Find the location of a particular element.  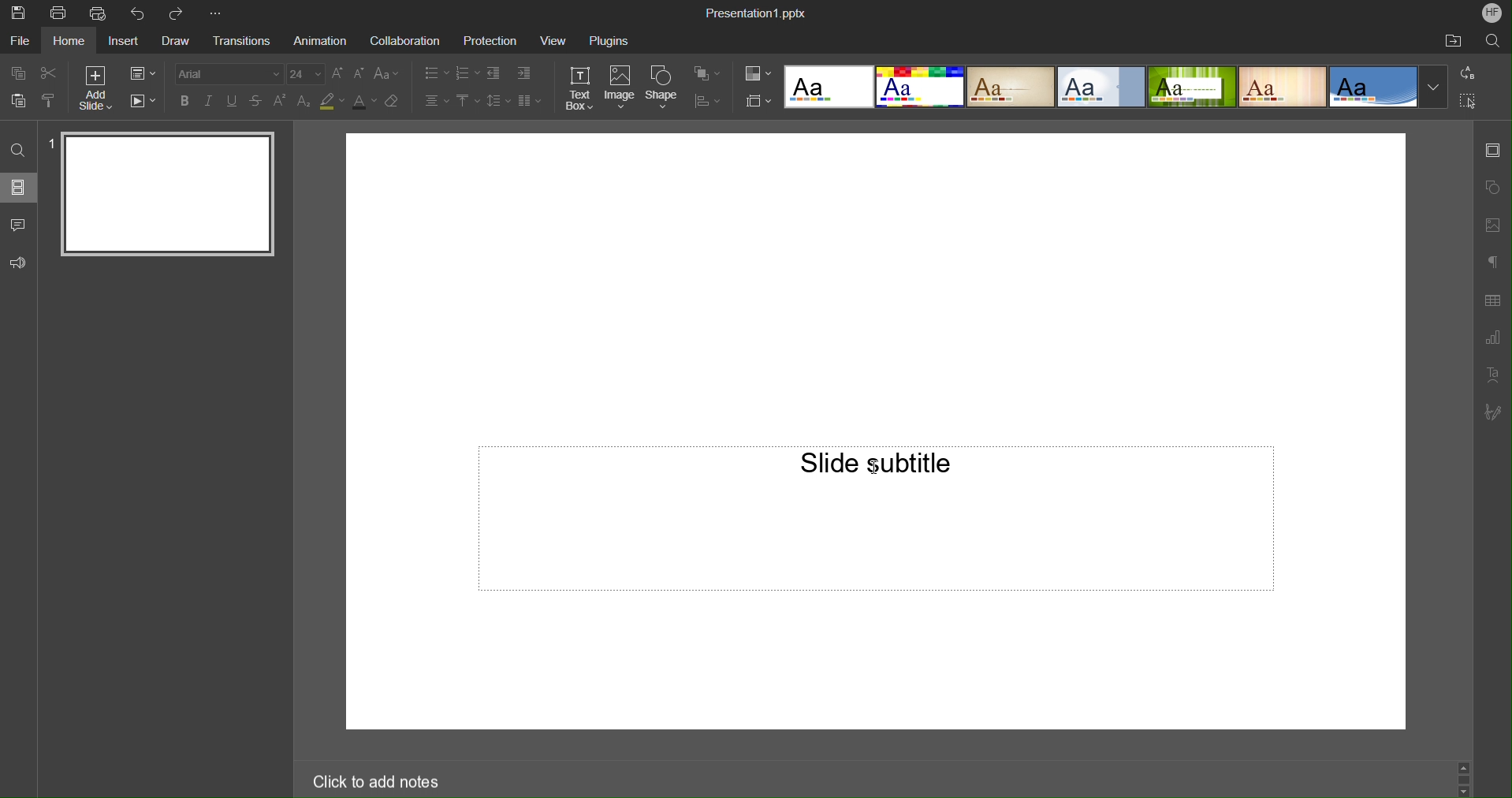

Redo is located at coordinates (179, 13).